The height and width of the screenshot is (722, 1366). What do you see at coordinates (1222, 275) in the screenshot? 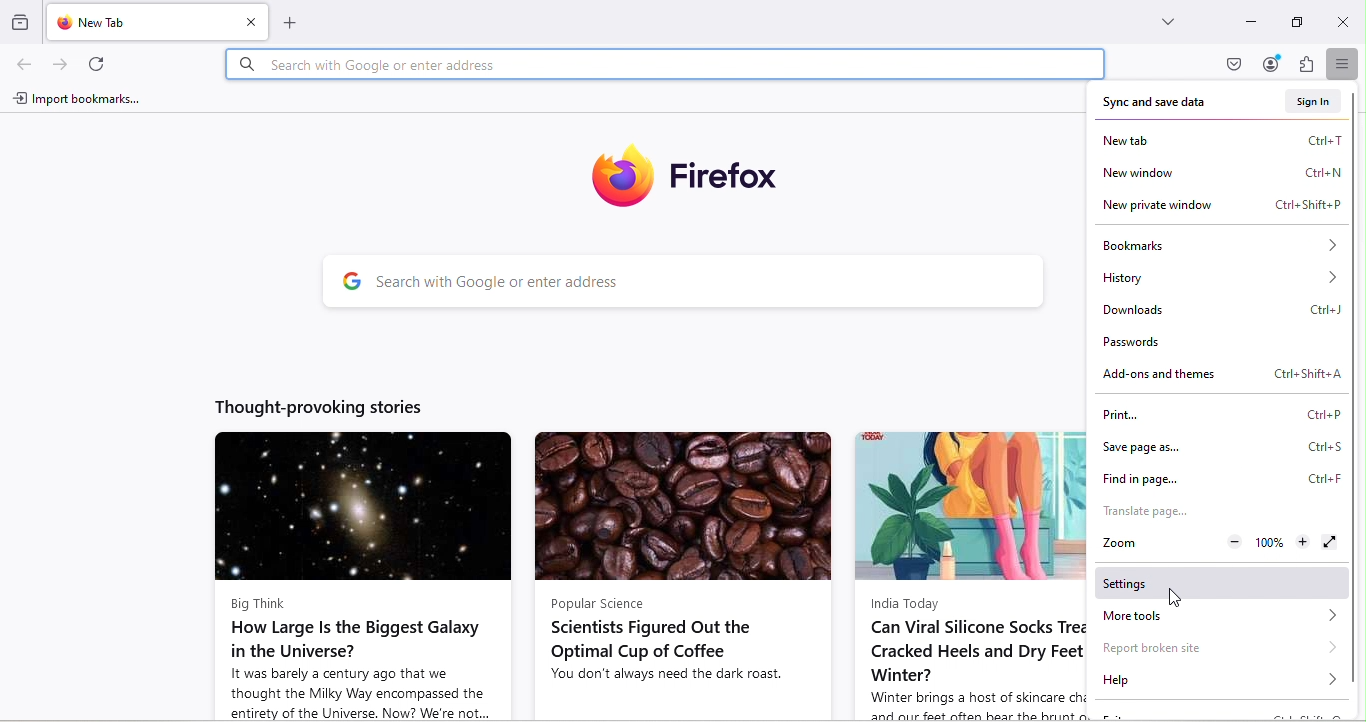
I see `History` at bounding box center [1222, 275].